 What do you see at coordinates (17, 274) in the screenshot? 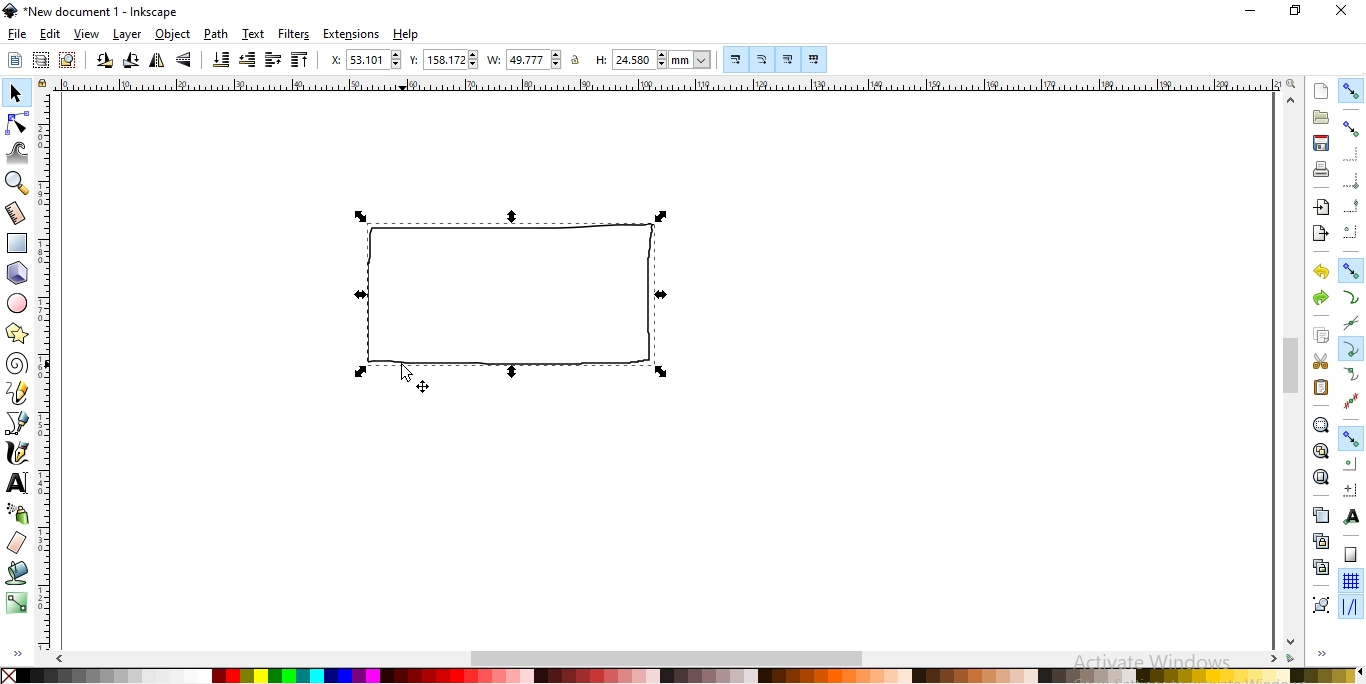
I see `create 3d boxes` at bounding box center [17, 274].